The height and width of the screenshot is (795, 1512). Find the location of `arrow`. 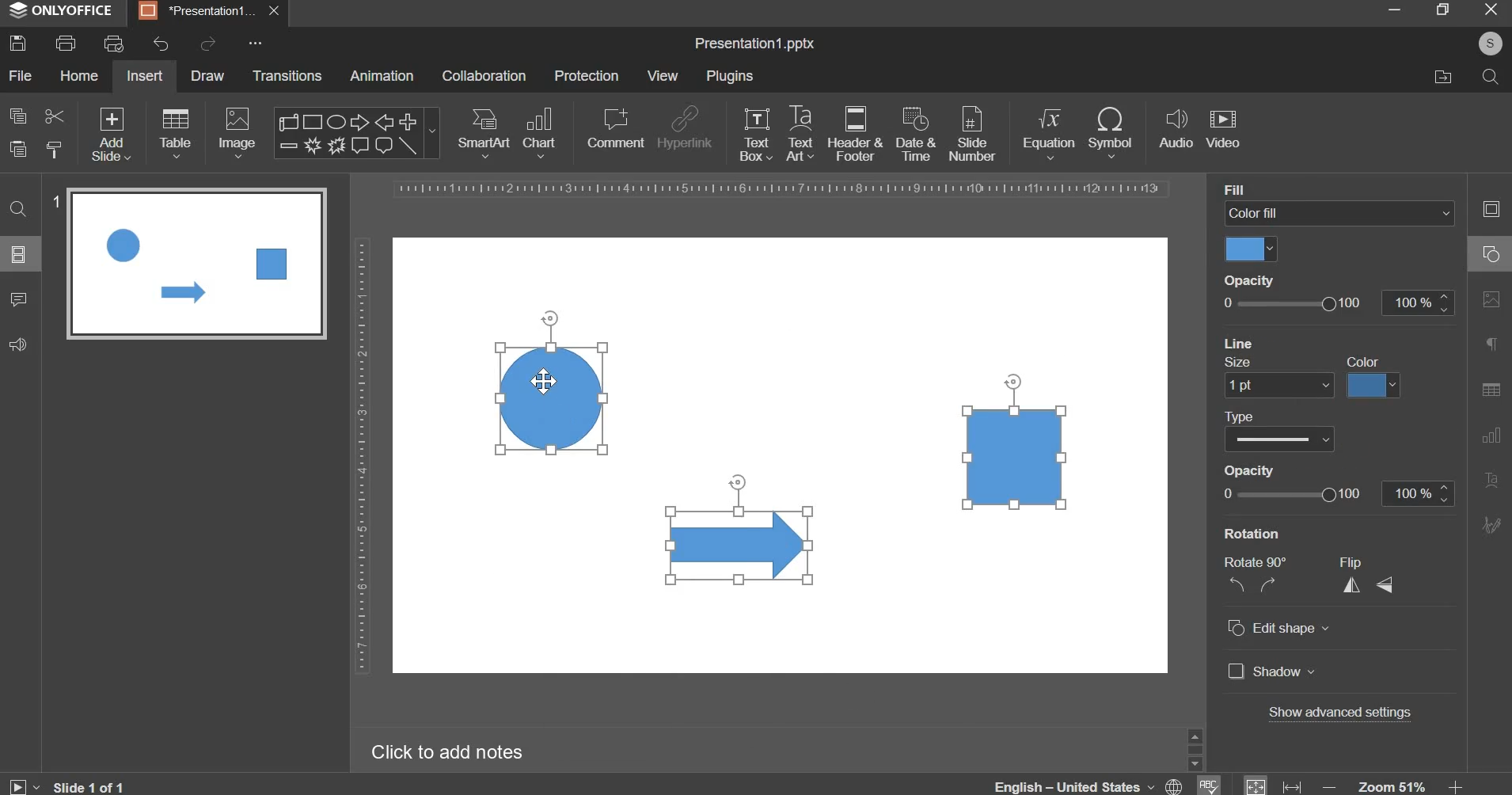

arrow is located at coordinates (739, 543).